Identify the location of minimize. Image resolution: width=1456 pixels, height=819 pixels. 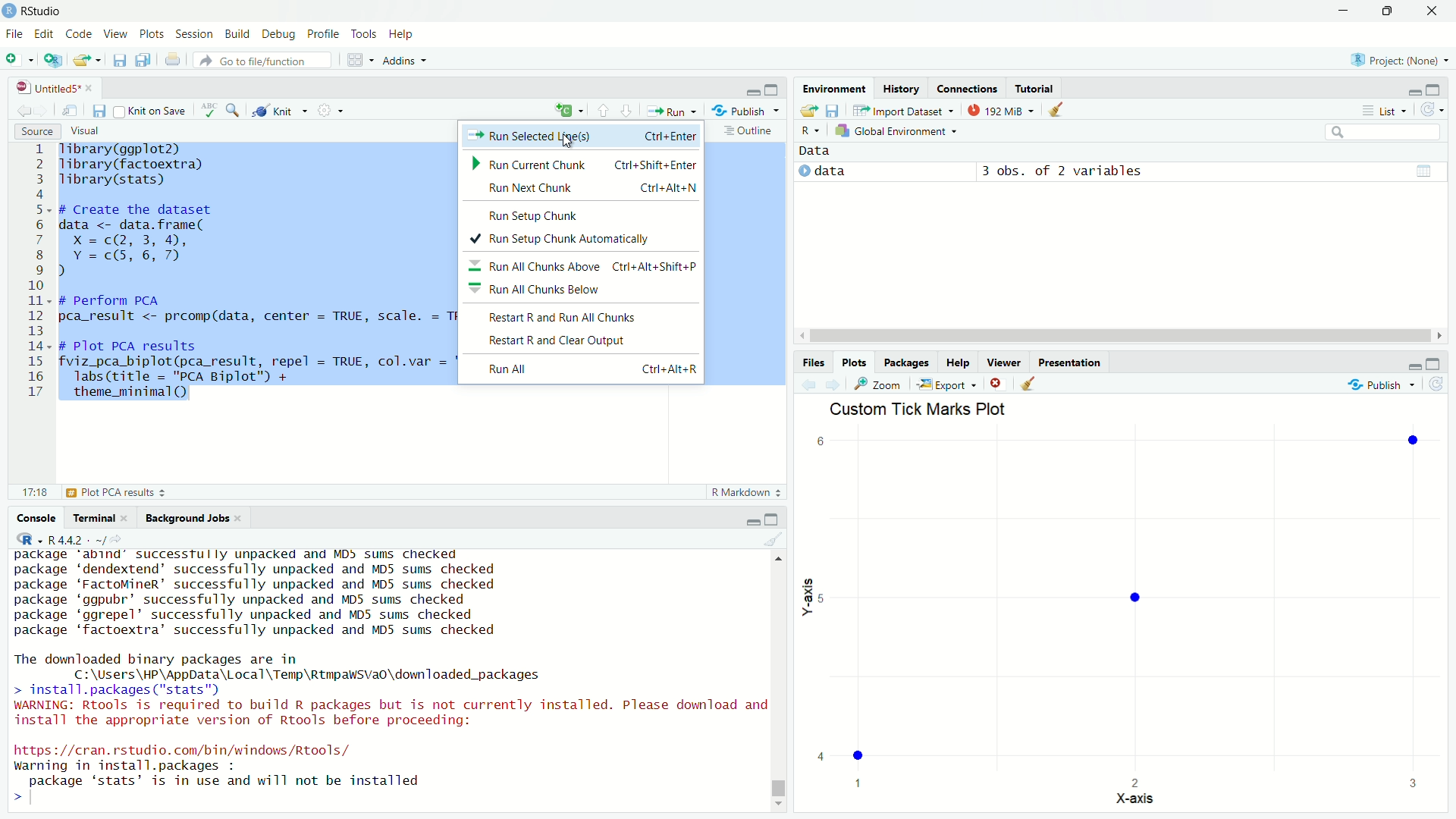
(1413, 362).